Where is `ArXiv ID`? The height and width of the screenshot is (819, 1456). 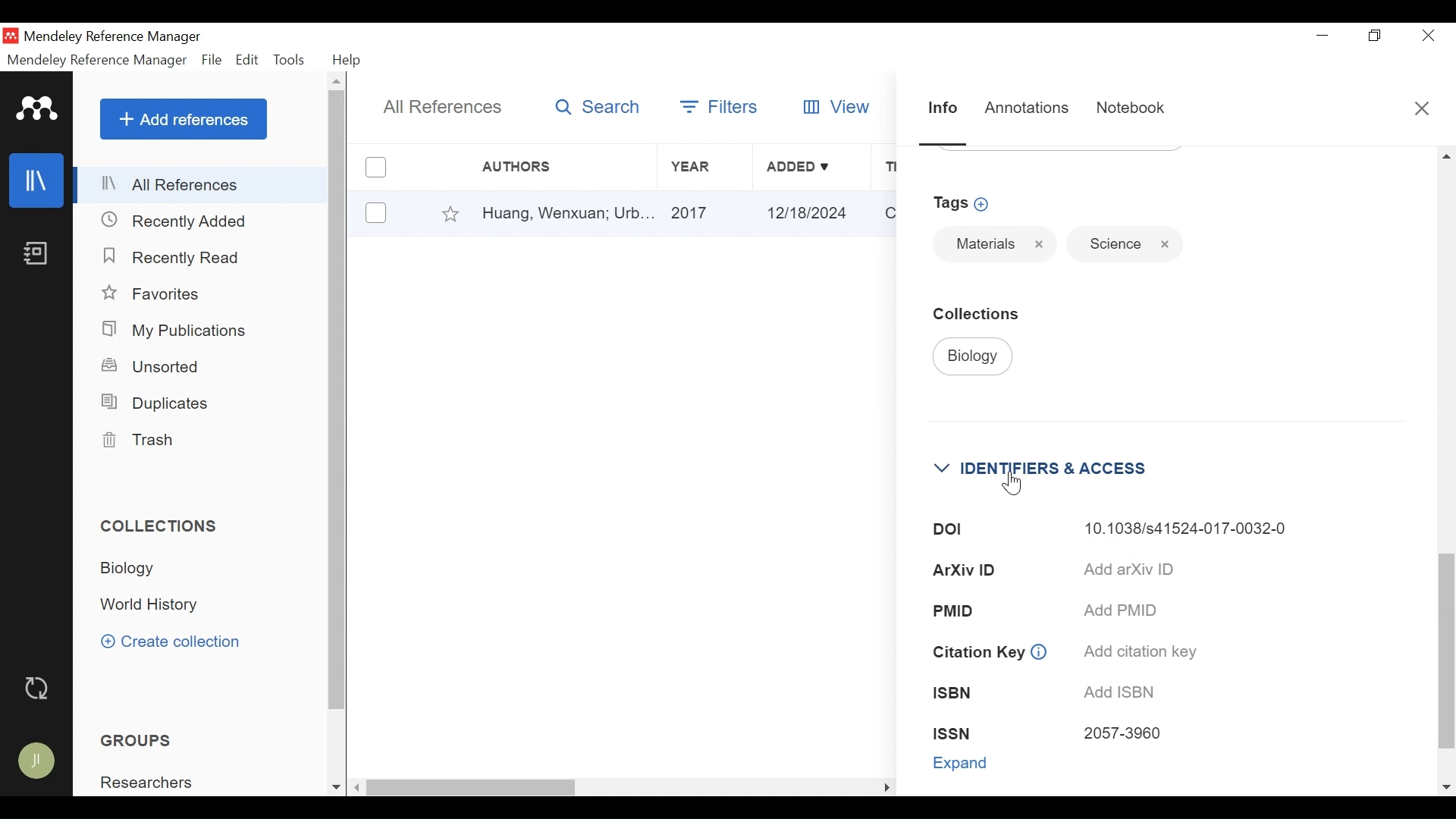 ArXiv ID is located at coordinates (968, 570).